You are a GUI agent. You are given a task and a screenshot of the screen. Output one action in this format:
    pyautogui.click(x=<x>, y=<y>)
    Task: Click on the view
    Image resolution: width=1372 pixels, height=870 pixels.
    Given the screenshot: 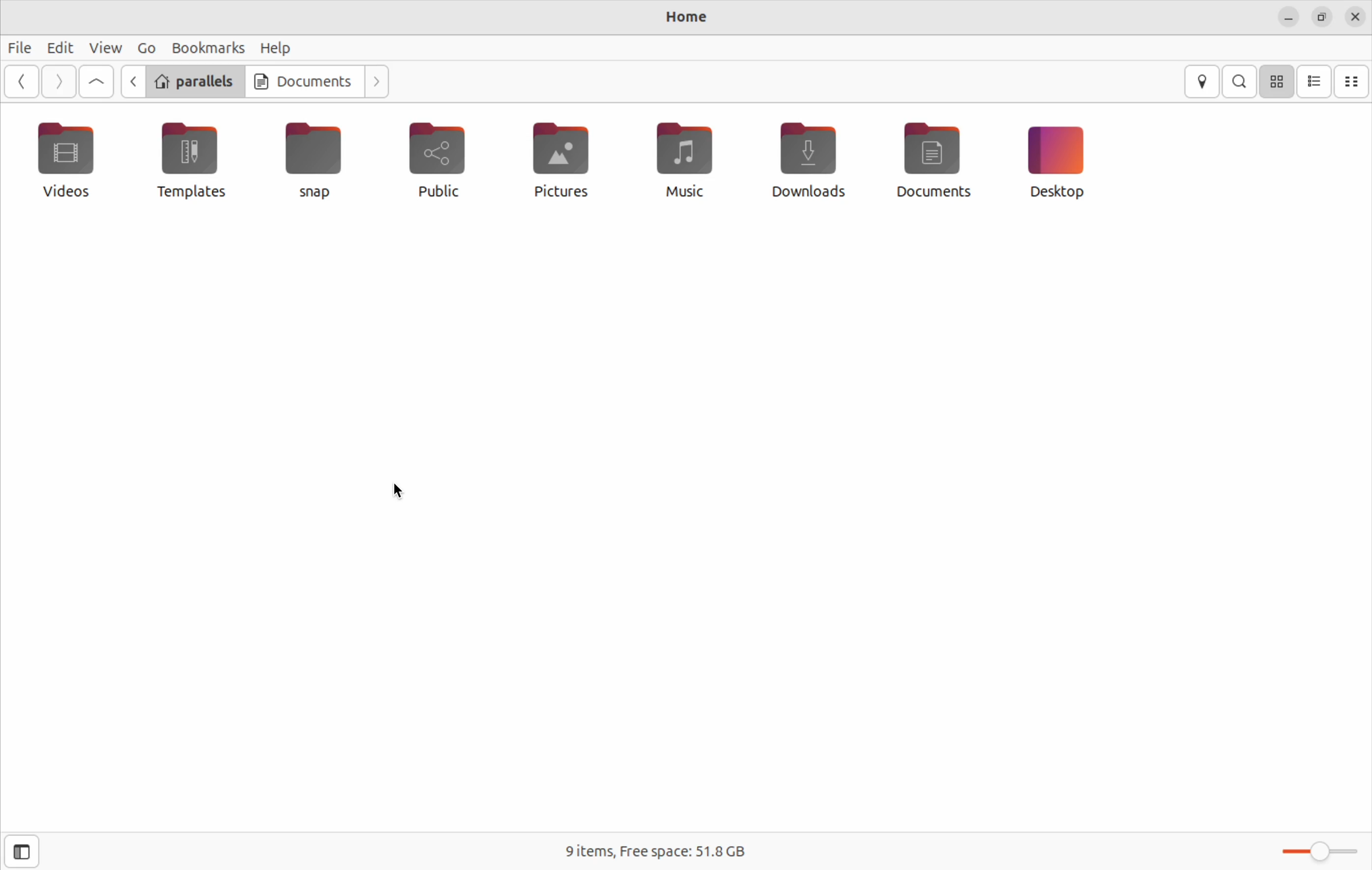 What is the action you would take?
    pyautogui.click(x=103, y=48)
    